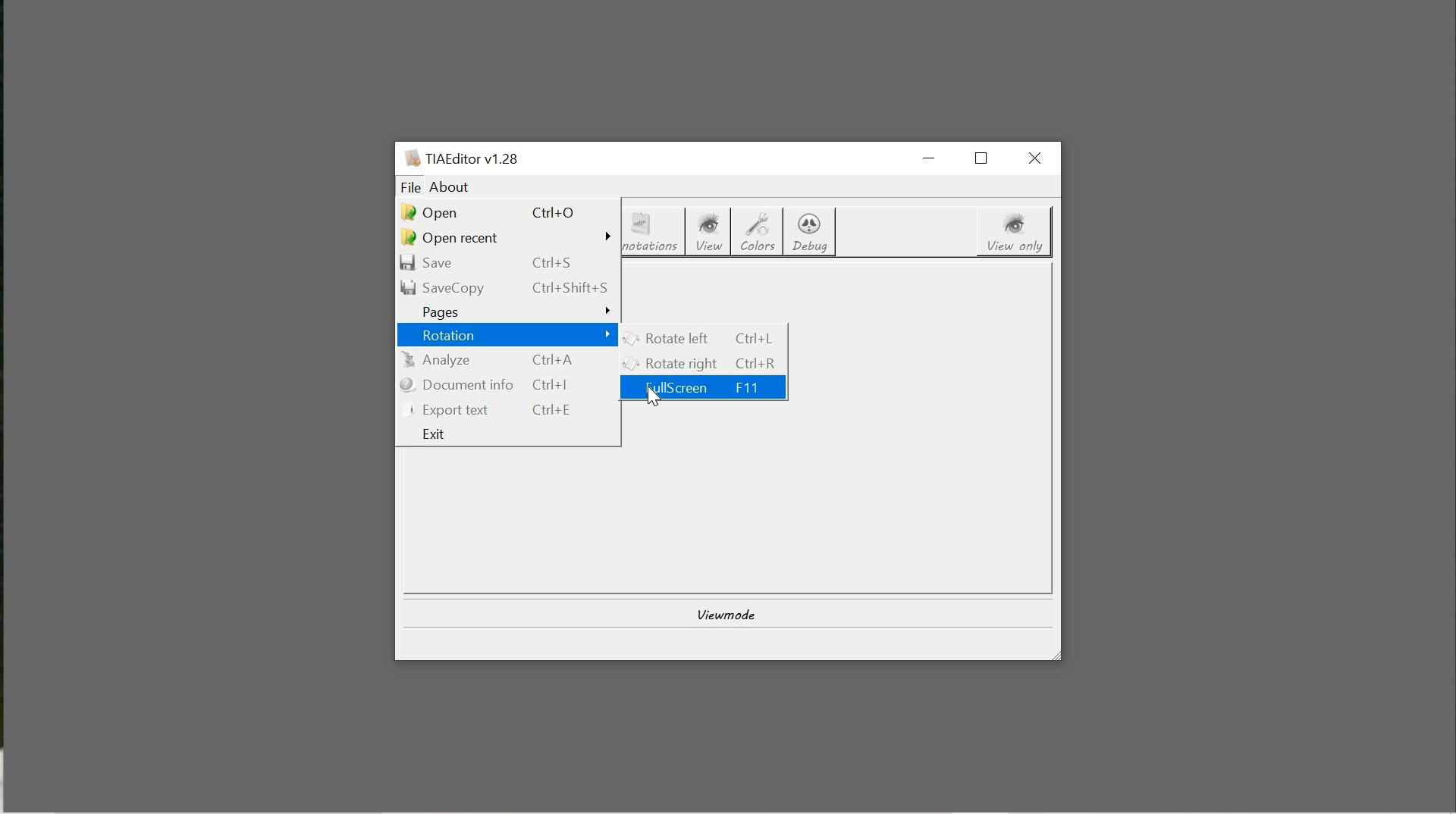 The height and width of the screenshot is (814, 1456). I want to click on rotation, so click(510, 337).